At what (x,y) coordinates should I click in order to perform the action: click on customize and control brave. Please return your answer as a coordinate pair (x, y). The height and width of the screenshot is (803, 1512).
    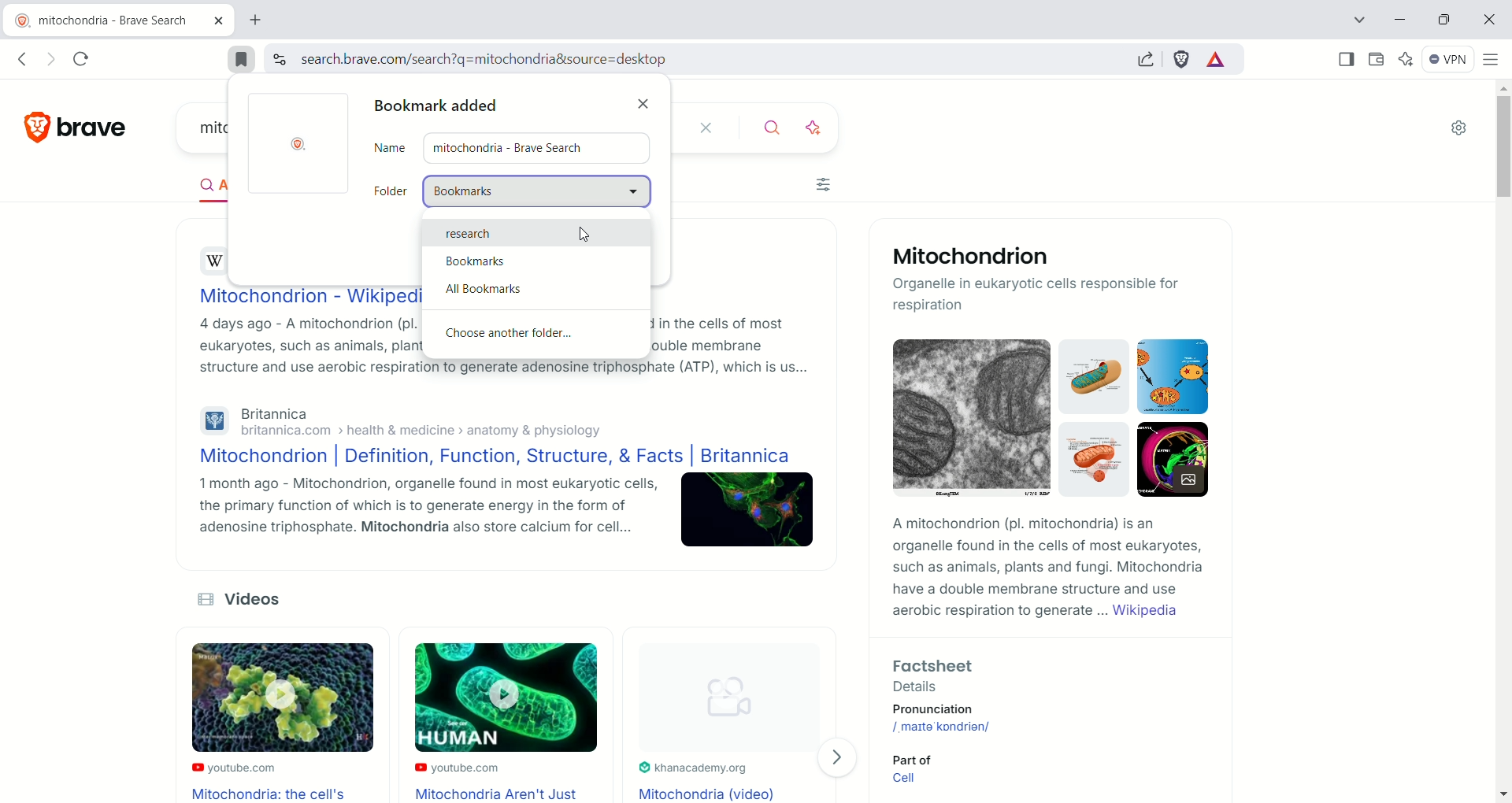
    Looking at the image, I should click on (1492, 59).